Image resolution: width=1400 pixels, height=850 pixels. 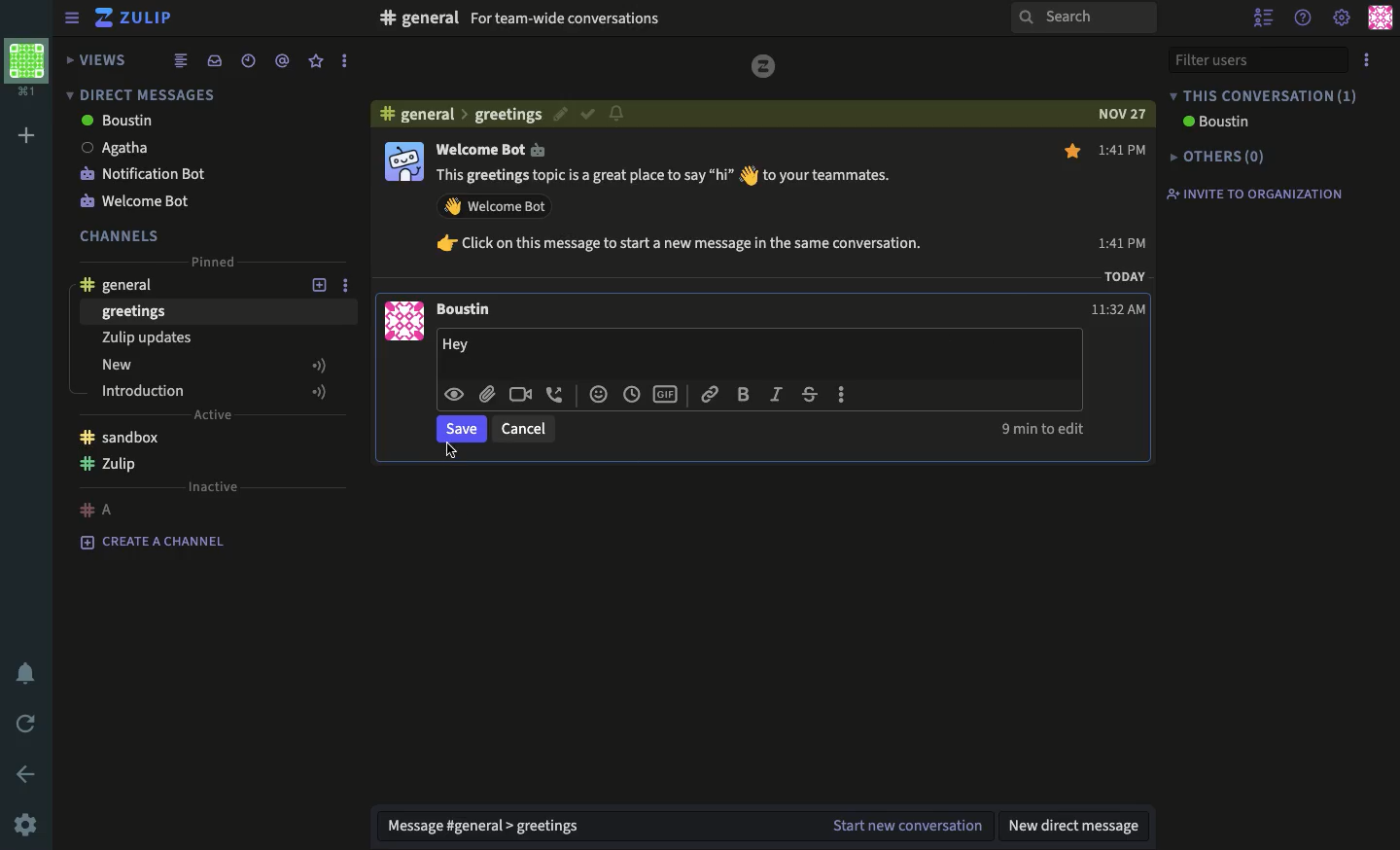 I want to click on inbox, so click(x=214, y=60).